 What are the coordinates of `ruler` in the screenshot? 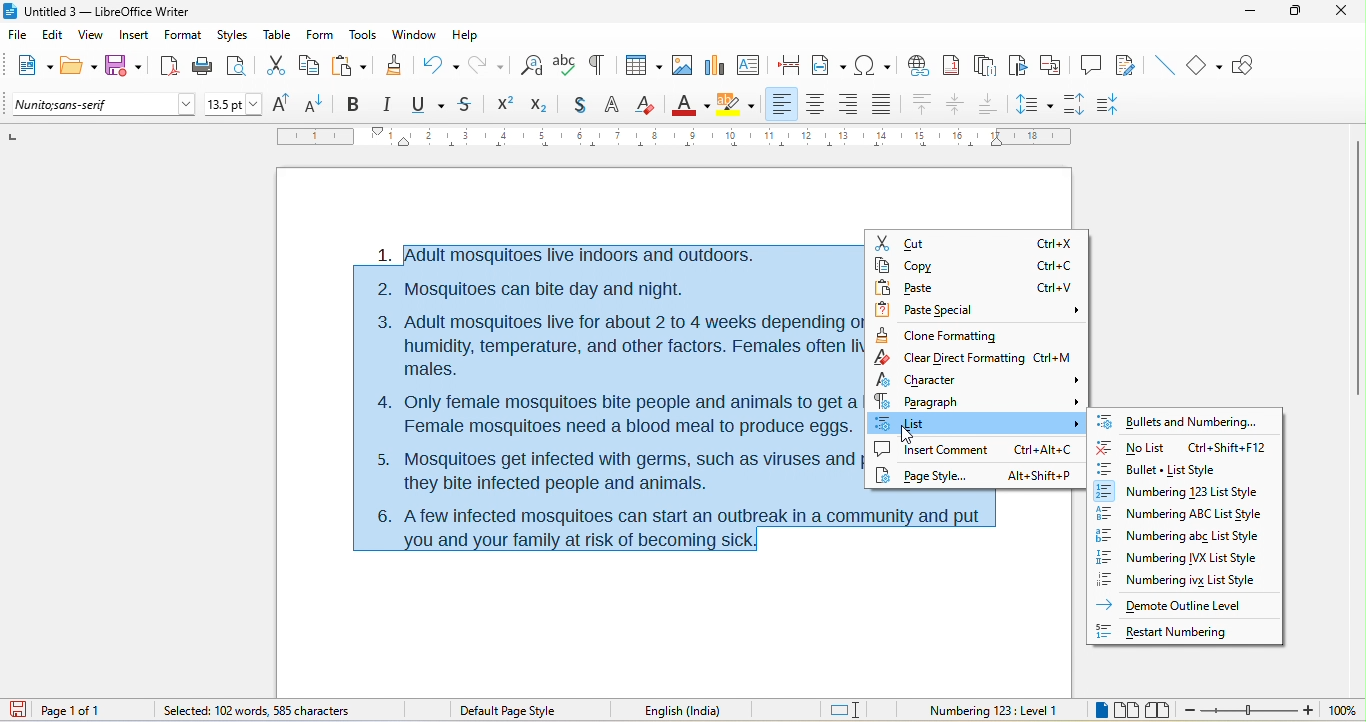 It's located at (673, 137).